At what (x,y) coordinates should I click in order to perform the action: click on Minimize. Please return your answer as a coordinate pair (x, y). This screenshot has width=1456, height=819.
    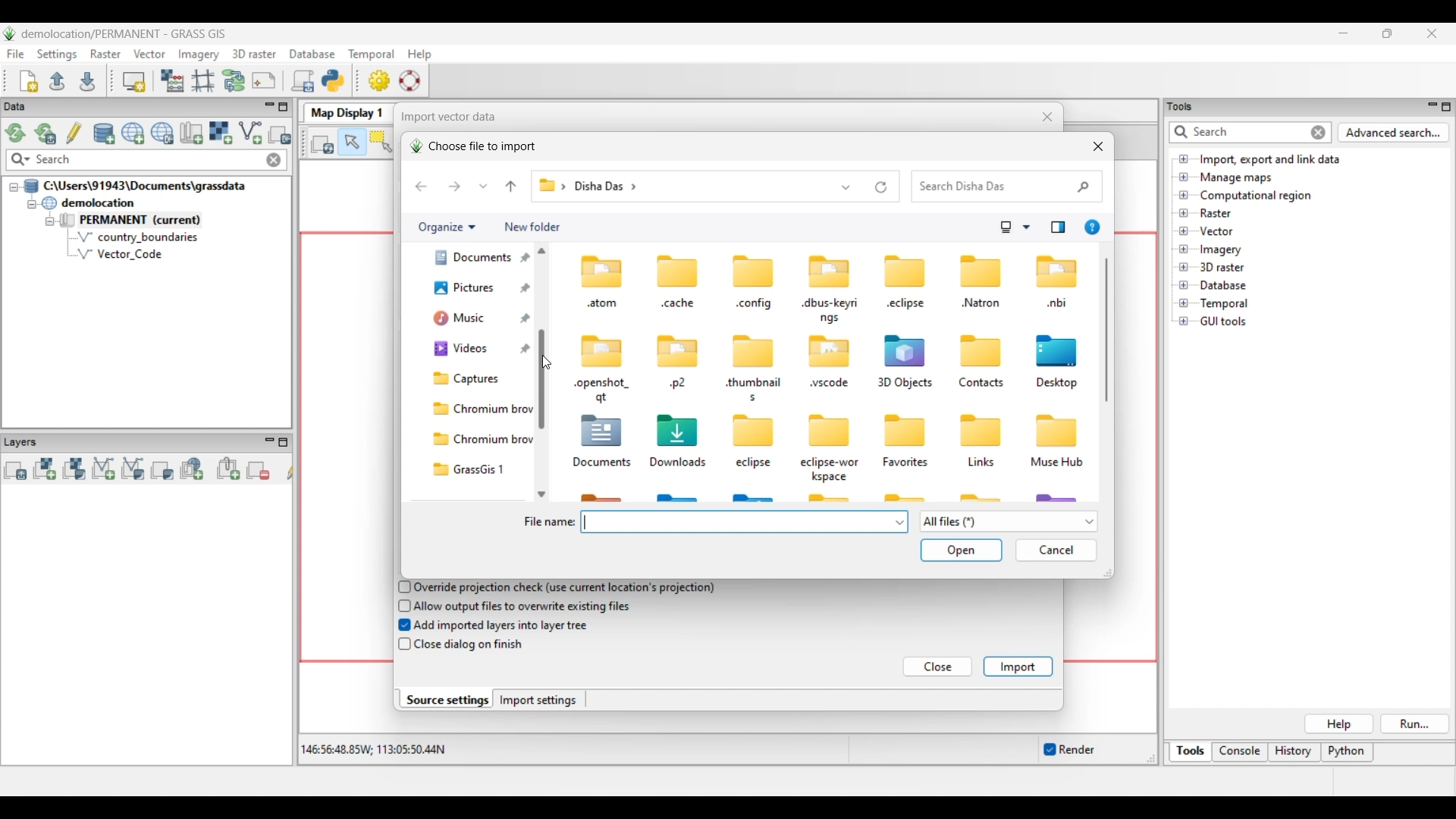
    Looking at the image, I should click on (1343, 33).